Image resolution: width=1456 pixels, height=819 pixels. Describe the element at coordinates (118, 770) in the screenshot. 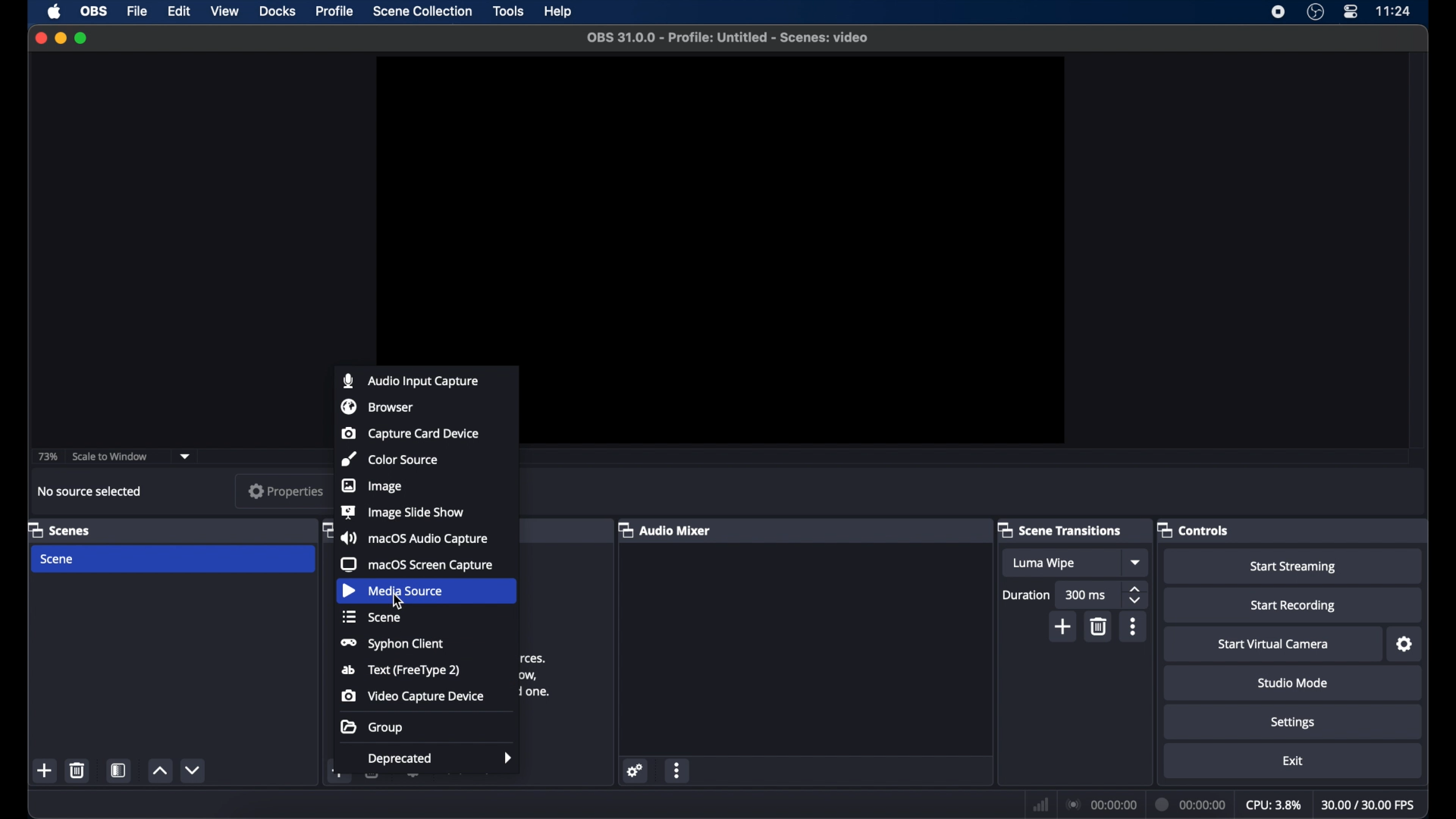

I see `scene filters` at that location.